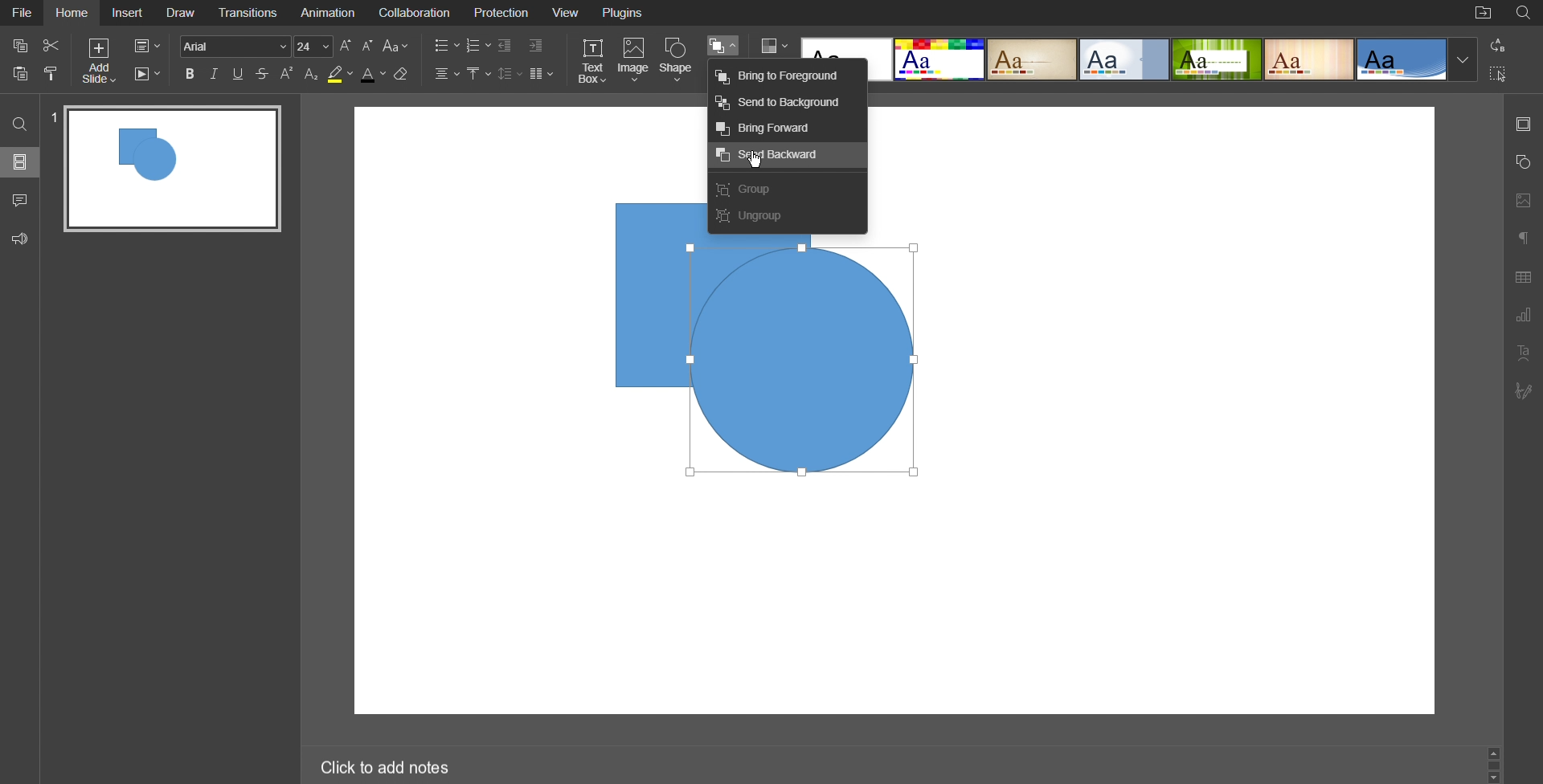  I want to click on Add Slide, so click(99, 60).